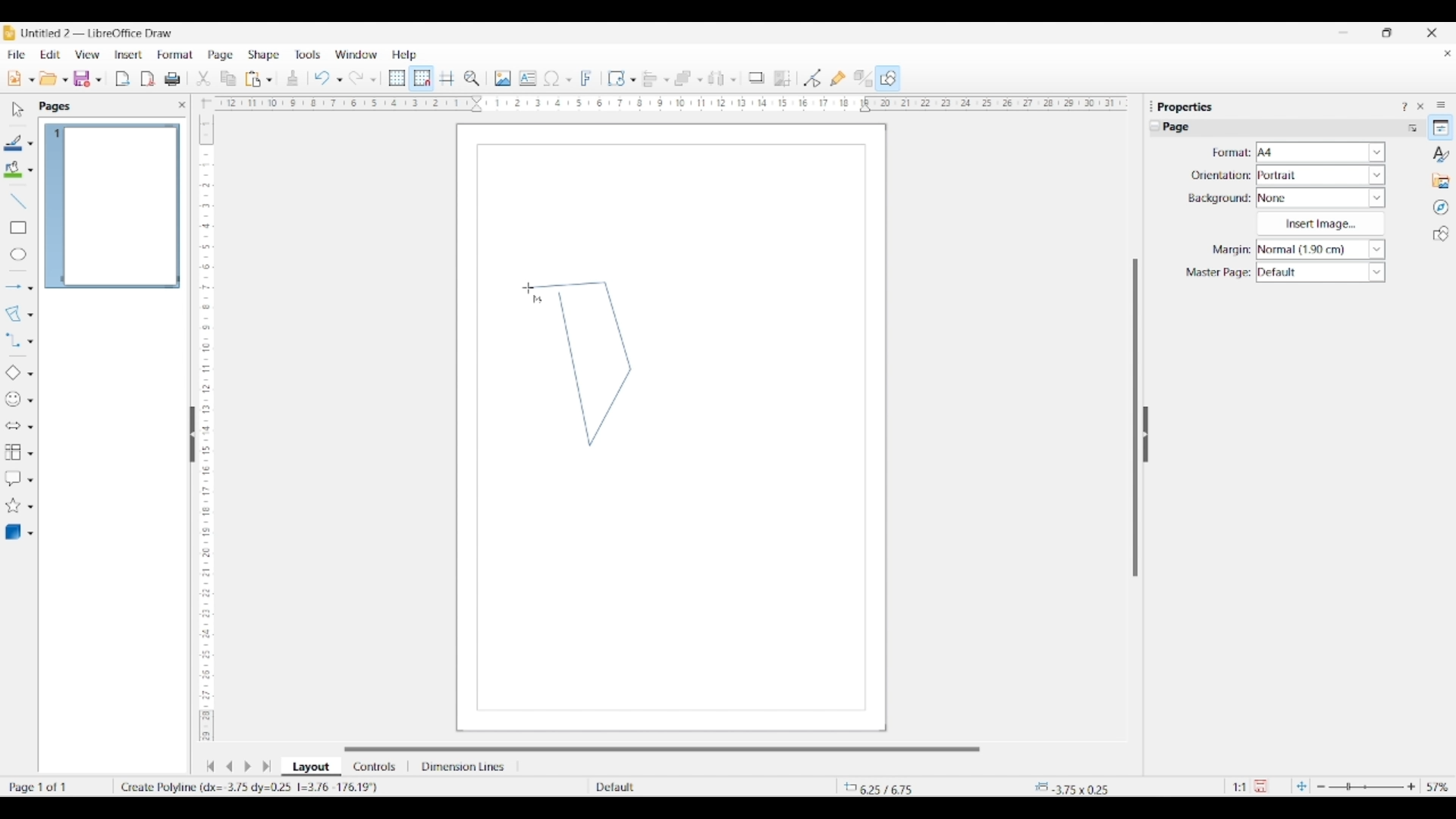 Image resolution: width=1456 pixels, height=819 pixels. Describe the element at coordinates (9, 33) in the screenshot. I see `Software logo` at that location.